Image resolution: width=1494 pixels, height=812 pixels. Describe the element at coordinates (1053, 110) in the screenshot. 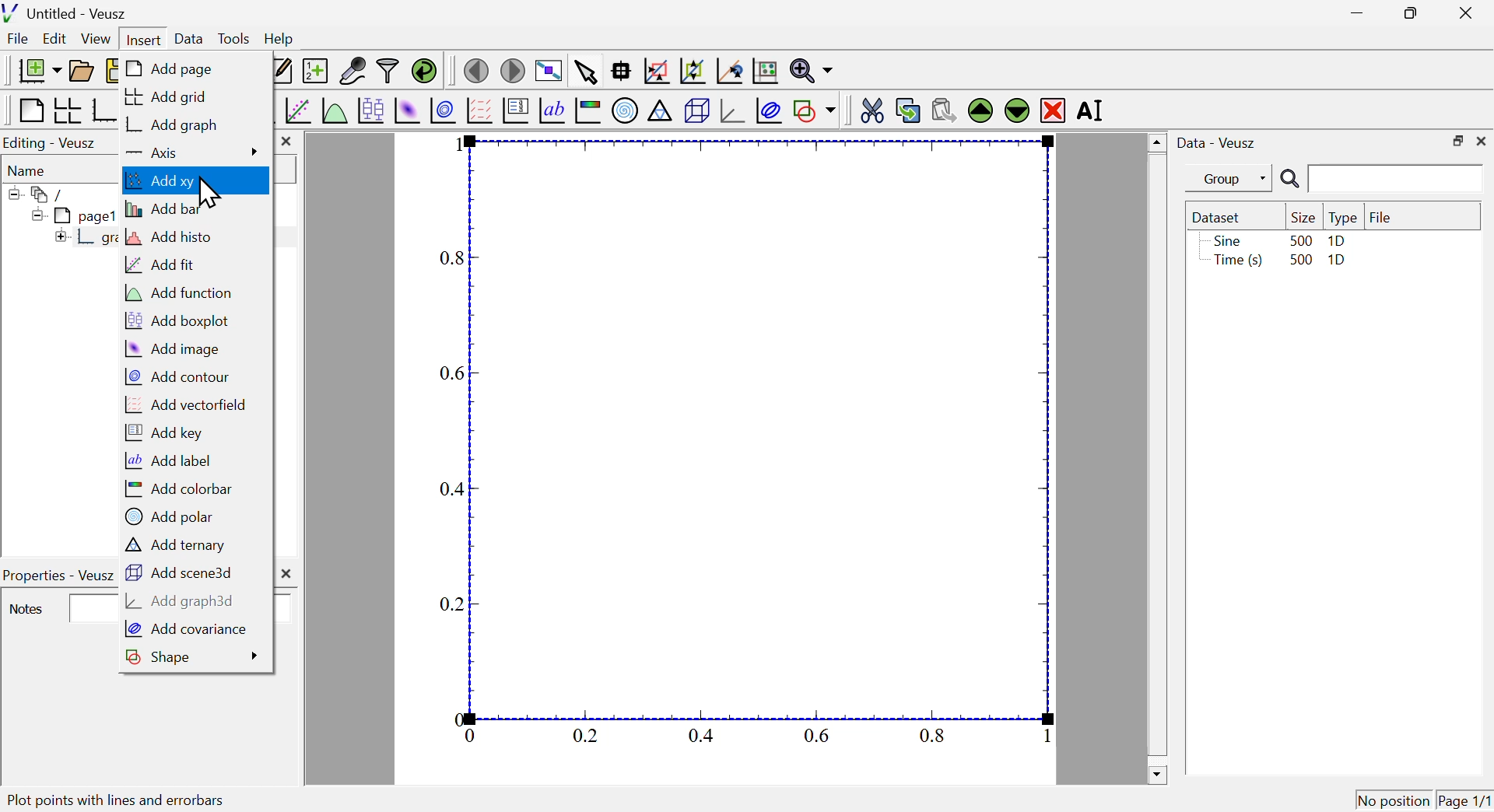

I see `remove the selected widget` at that location.